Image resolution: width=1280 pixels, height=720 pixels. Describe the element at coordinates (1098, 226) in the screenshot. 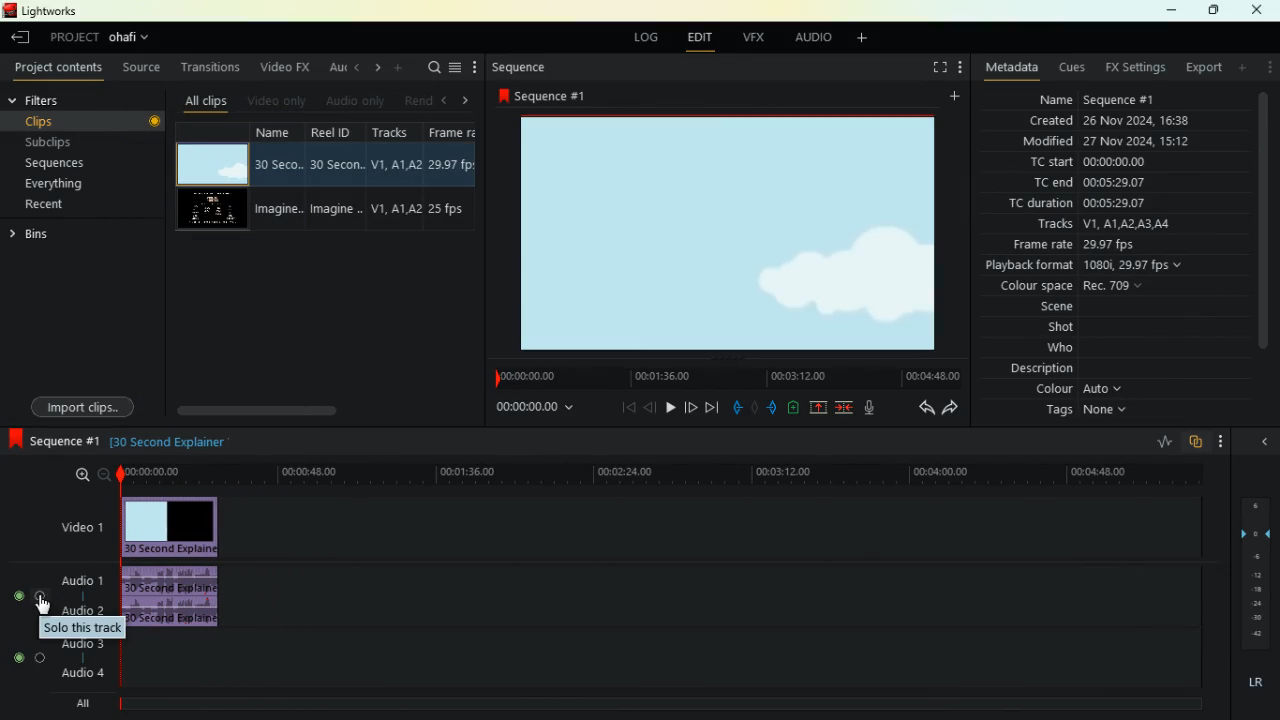

I see `tracks` at that location.